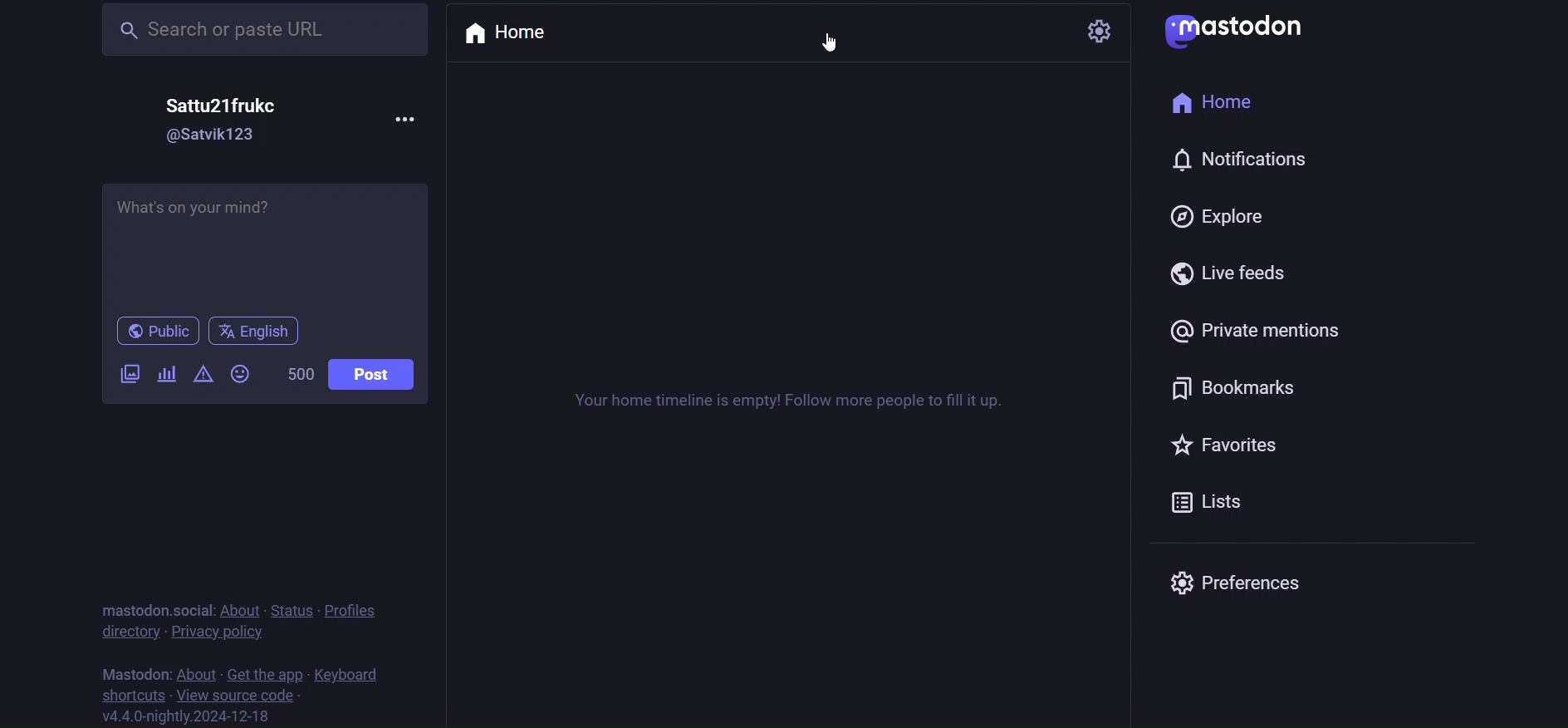 The height and width of the screenshot is (728, 1568). Describe the element at coordinates (130, 373) in the screenshot. I see `image/video` at that location.